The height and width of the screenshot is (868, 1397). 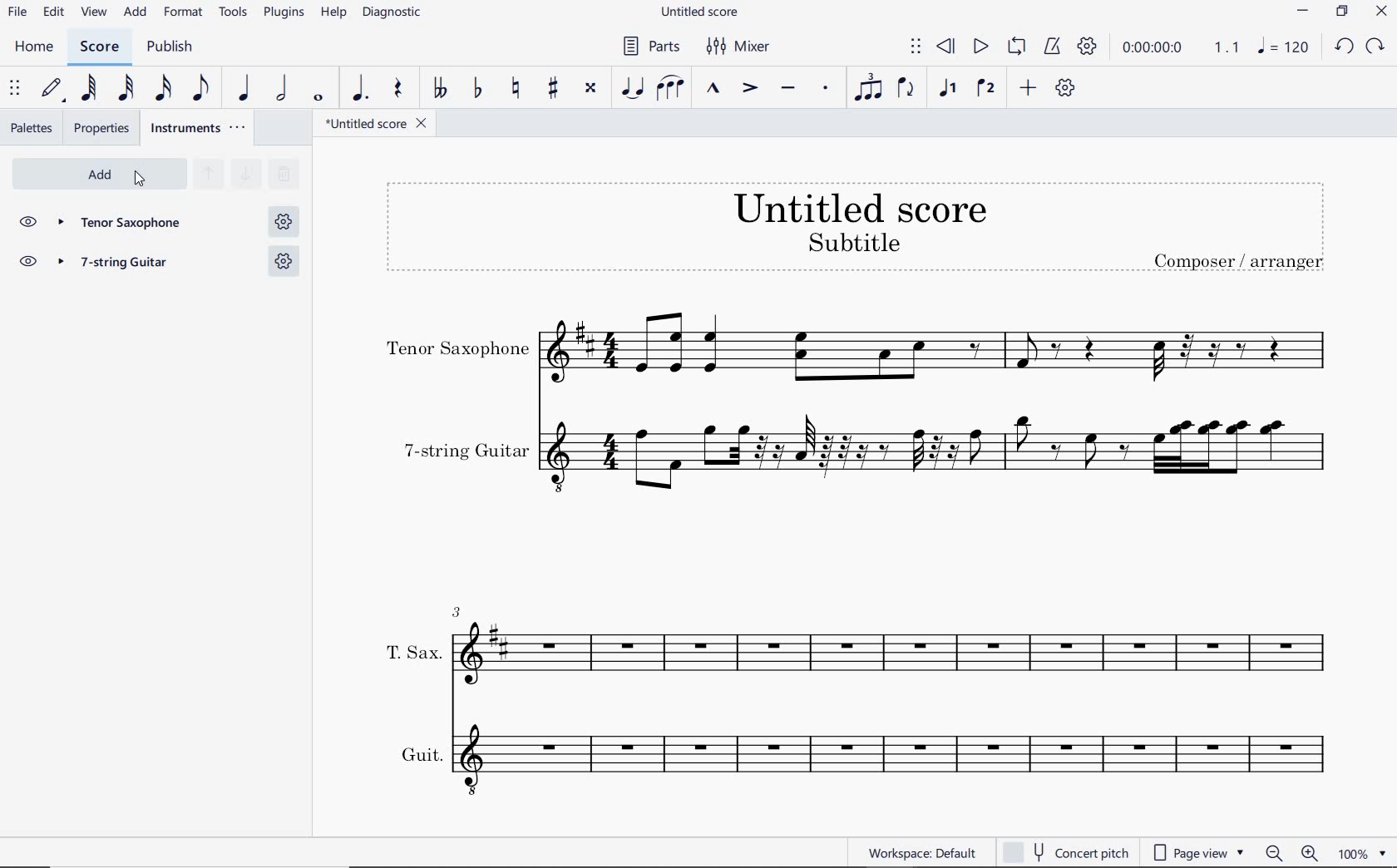 What do you see at coordinates (1361, 852) in the screenshot?
I see `ZOOM FACTOR` at bounding box center [1361, 852].